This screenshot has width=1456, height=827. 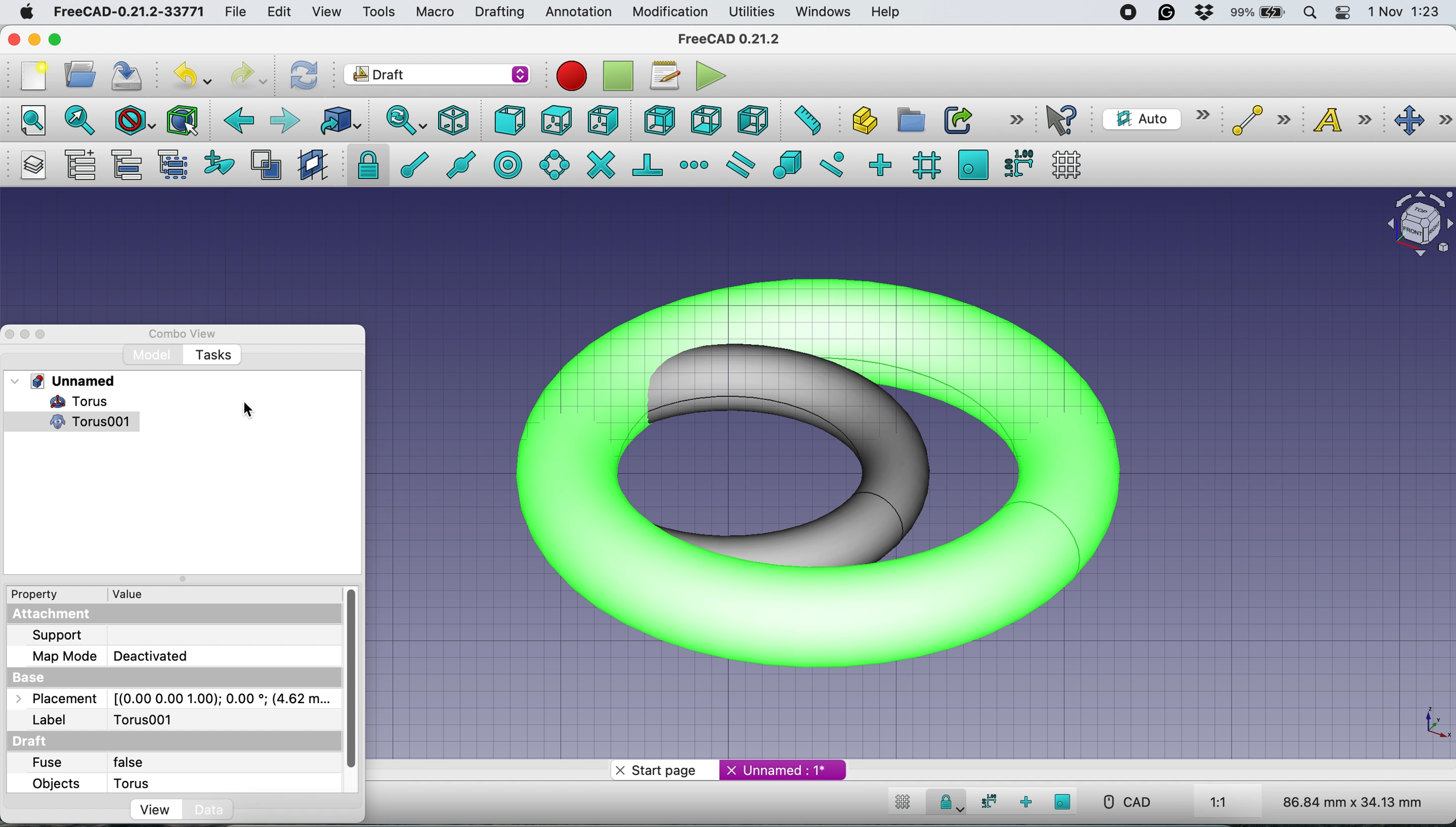 I want to click on Support, so click(x=63, y=634).